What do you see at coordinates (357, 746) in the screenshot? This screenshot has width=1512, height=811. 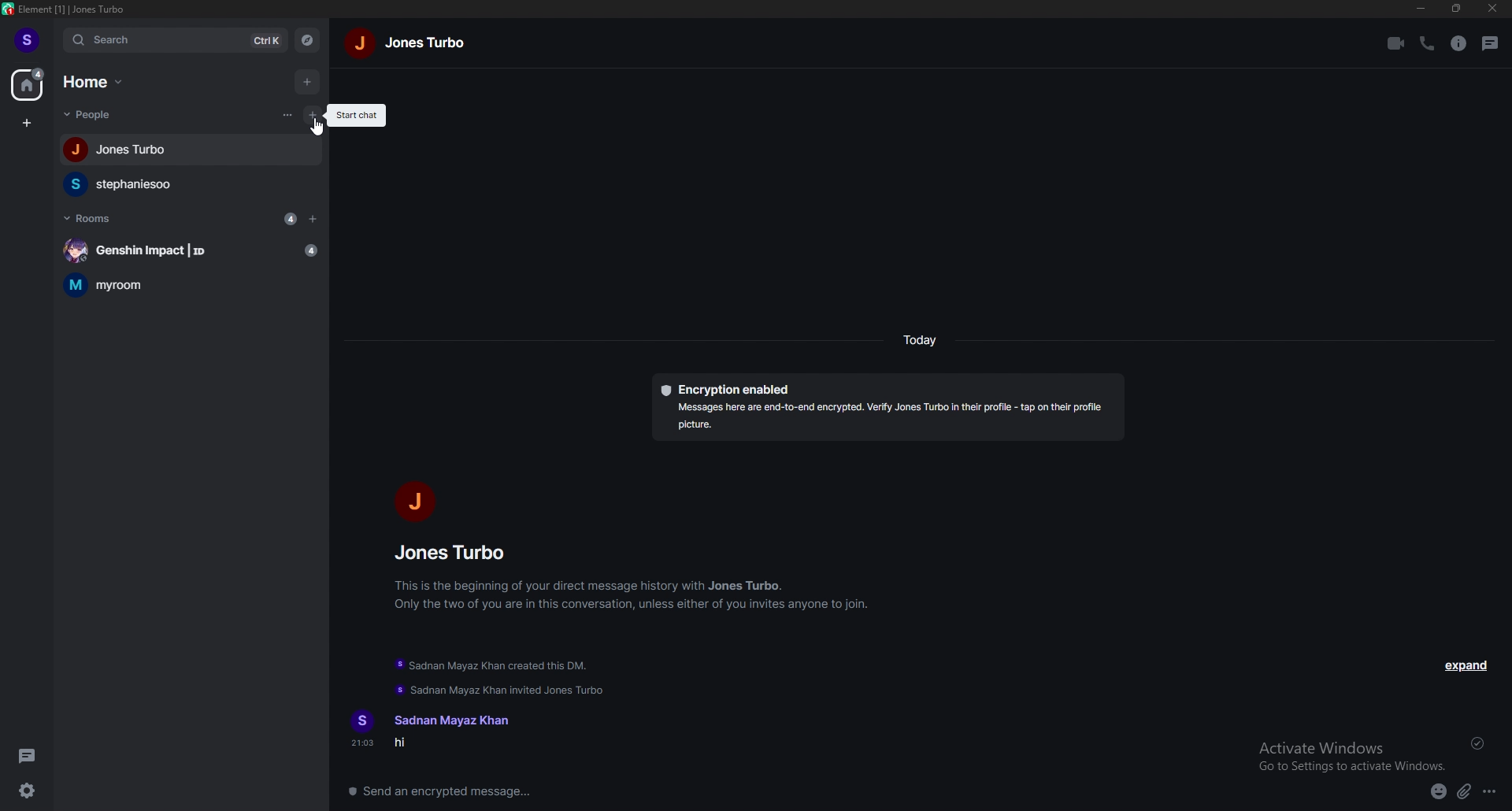 I see `21:03` at bounding box center [357, 746].